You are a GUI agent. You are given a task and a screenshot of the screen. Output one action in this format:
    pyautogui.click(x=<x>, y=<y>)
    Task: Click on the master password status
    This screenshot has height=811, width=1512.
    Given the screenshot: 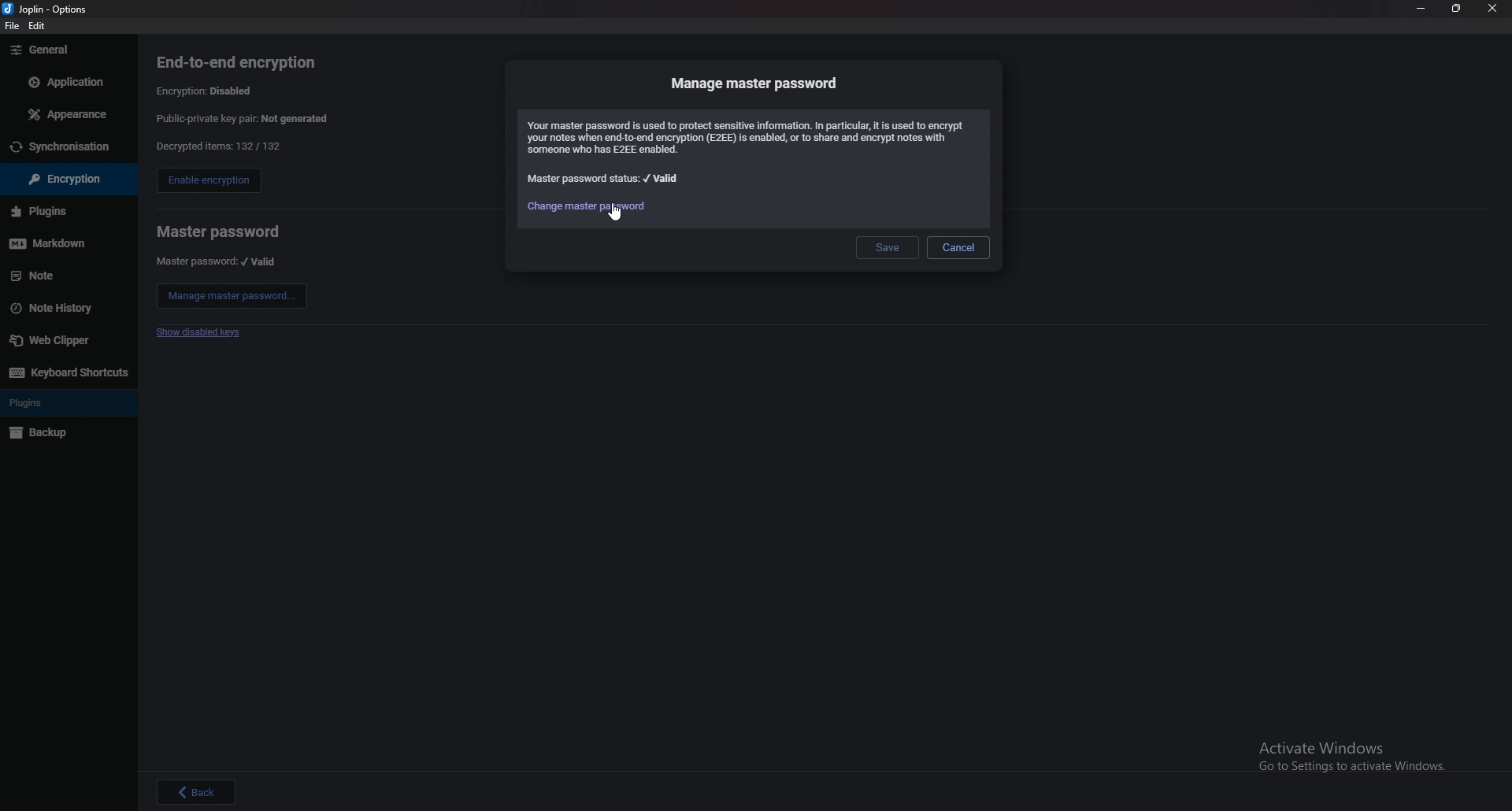 What is the action you would take?
    pyautogui.click(x=605, y=179)
    